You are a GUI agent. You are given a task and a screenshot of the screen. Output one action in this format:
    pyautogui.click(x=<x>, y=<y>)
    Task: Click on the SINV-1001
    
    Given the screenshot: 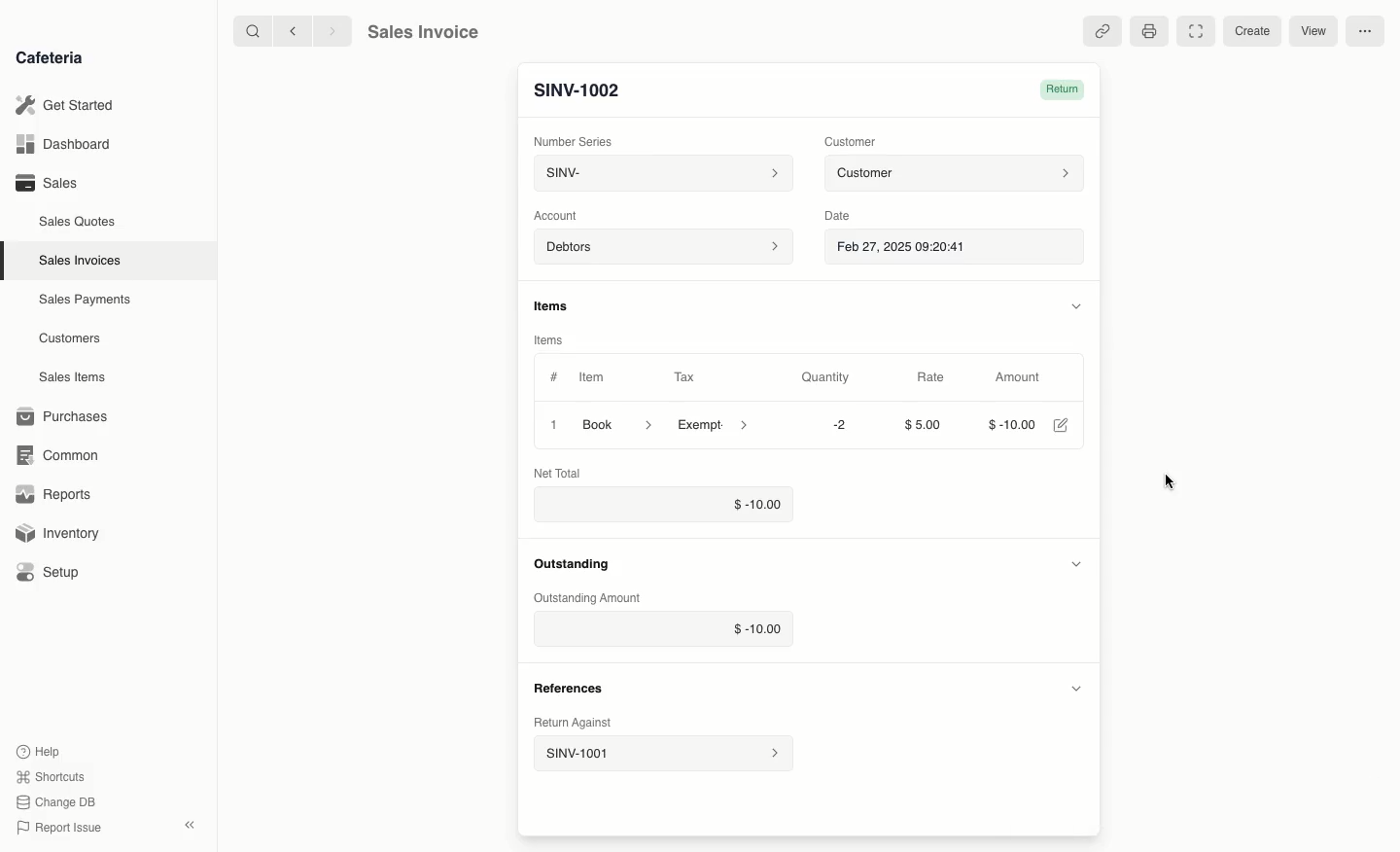 What is the action you would take?
    pyautogui.click(x=577, y=90)
    